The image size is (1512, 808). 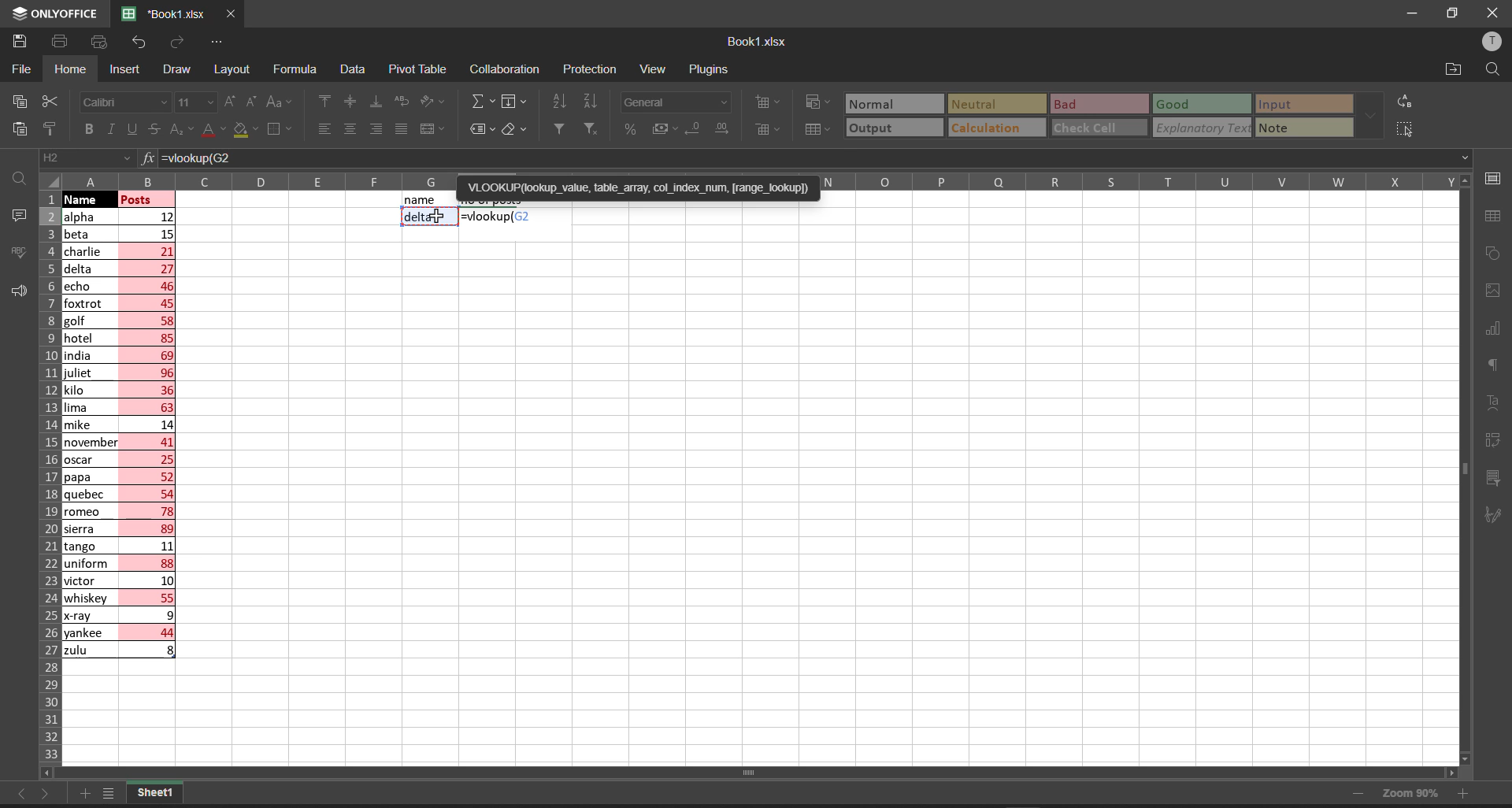 What do you see at coordinates (561, 102) in the screenshot?
I see `sort ascending` at bounding box center [561, 102].